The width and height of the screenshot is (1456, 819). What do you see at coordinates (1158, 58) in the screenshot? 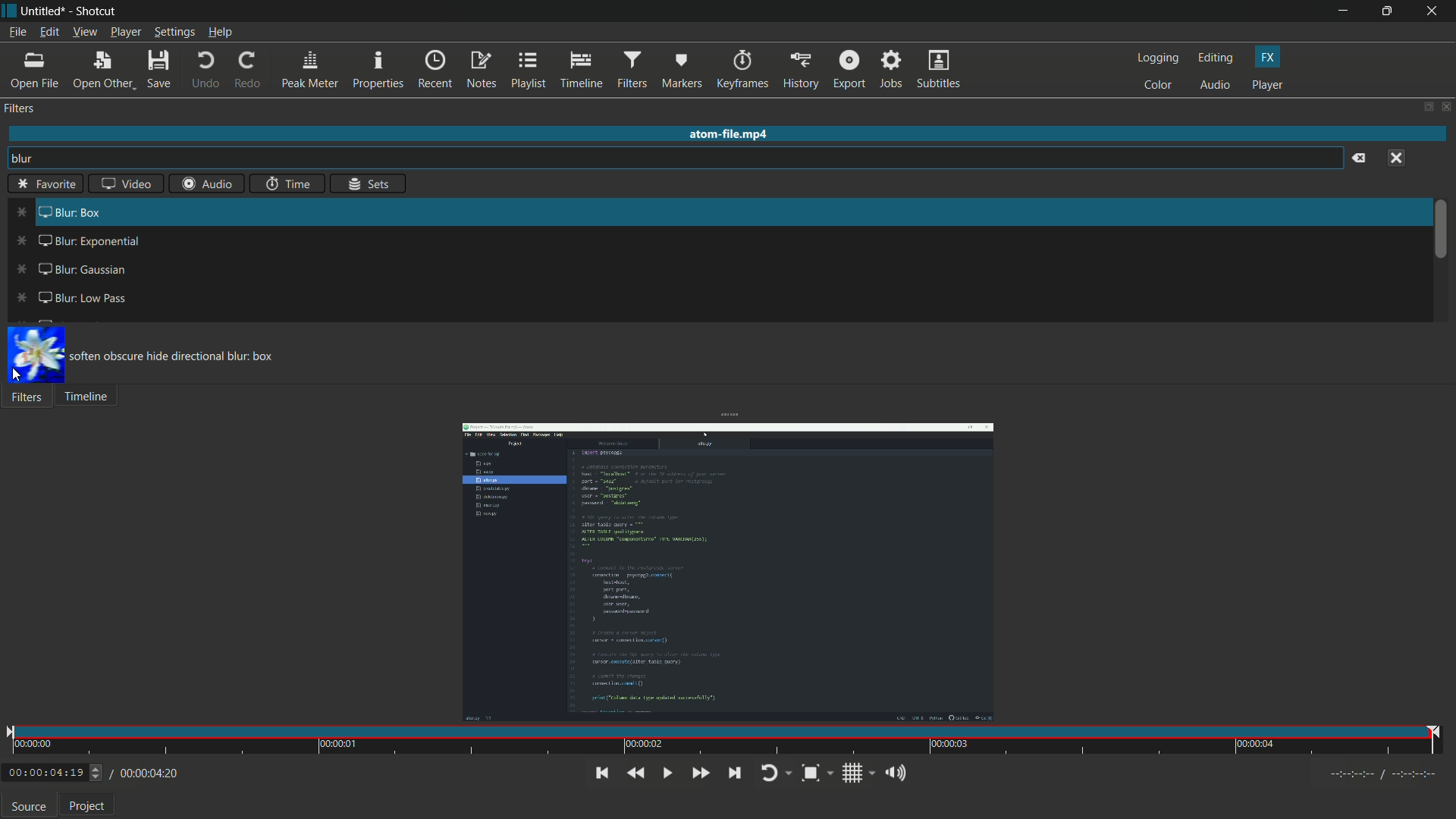
I see `logging` at bounding box center [1158, 58].